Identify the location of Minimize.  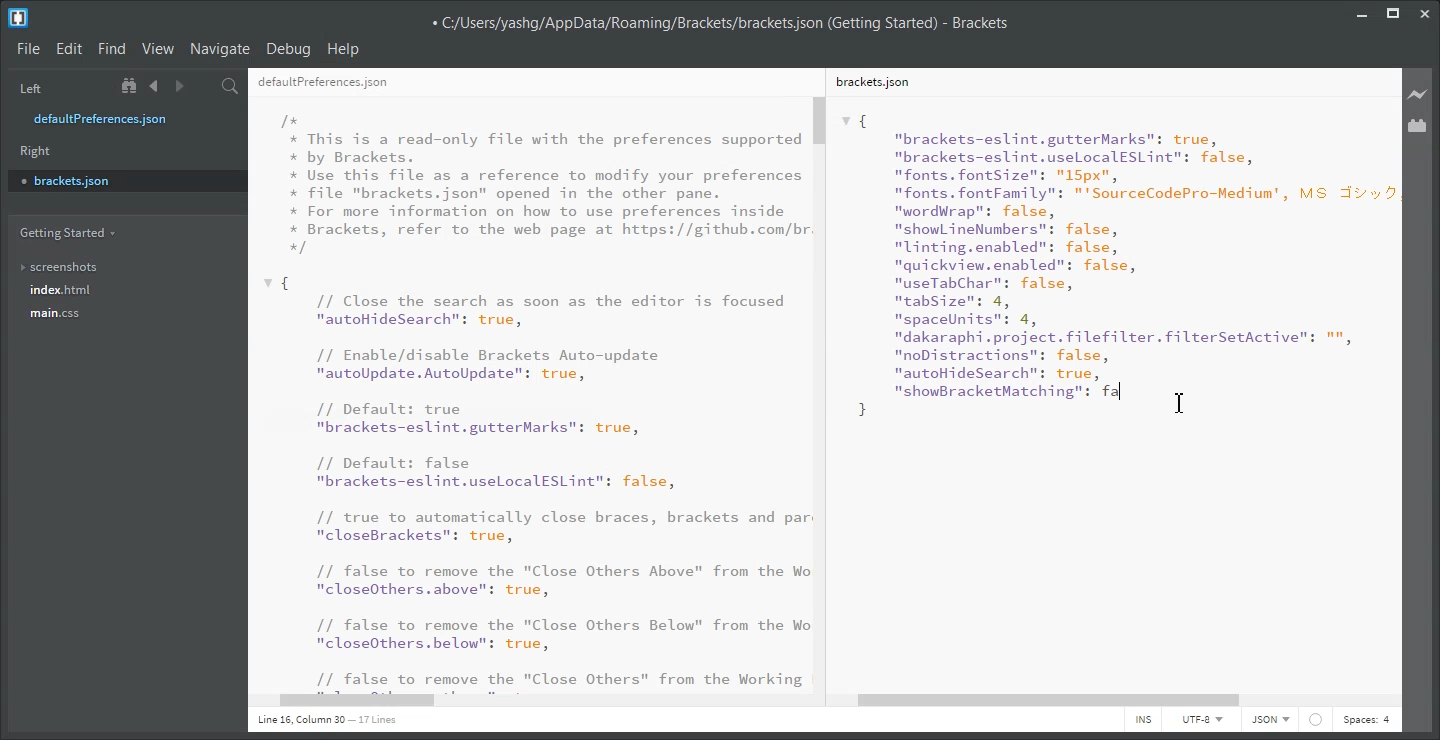
(1362, 11).